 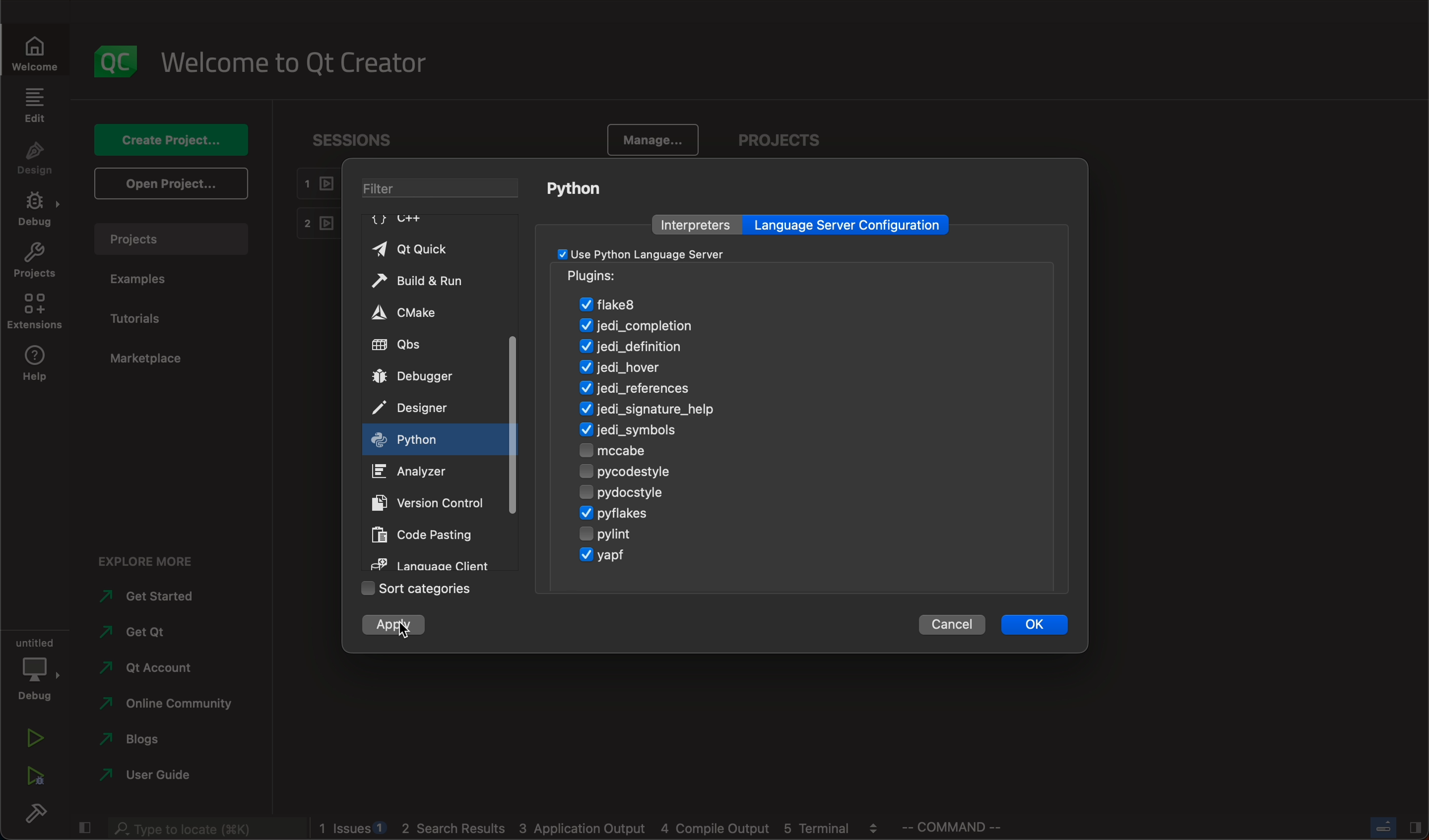 I want to click on cancel, so click(x=949, y=623).